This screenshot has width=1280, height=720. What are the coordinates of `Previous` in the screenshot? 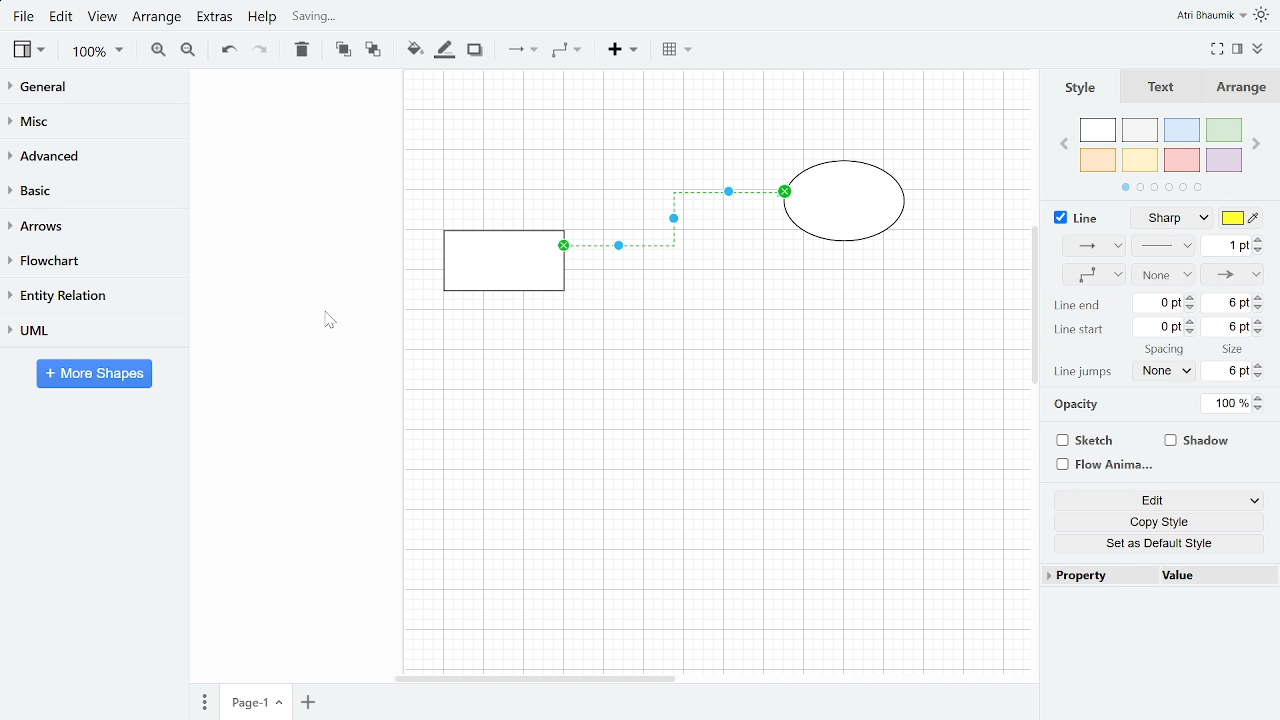 It's located at (1066, 141).